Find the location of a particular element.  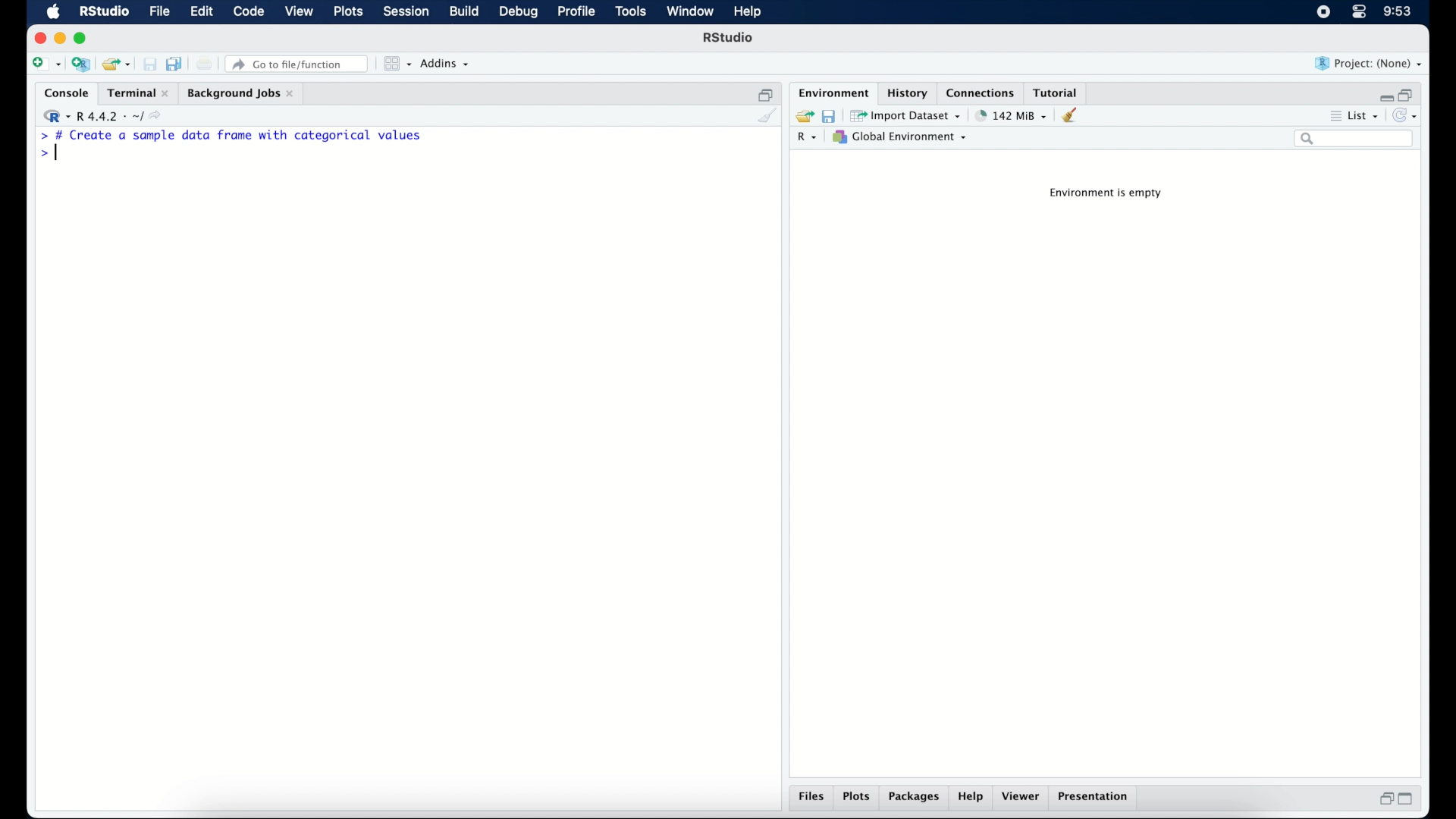

help is located at coordinates (973, 798).